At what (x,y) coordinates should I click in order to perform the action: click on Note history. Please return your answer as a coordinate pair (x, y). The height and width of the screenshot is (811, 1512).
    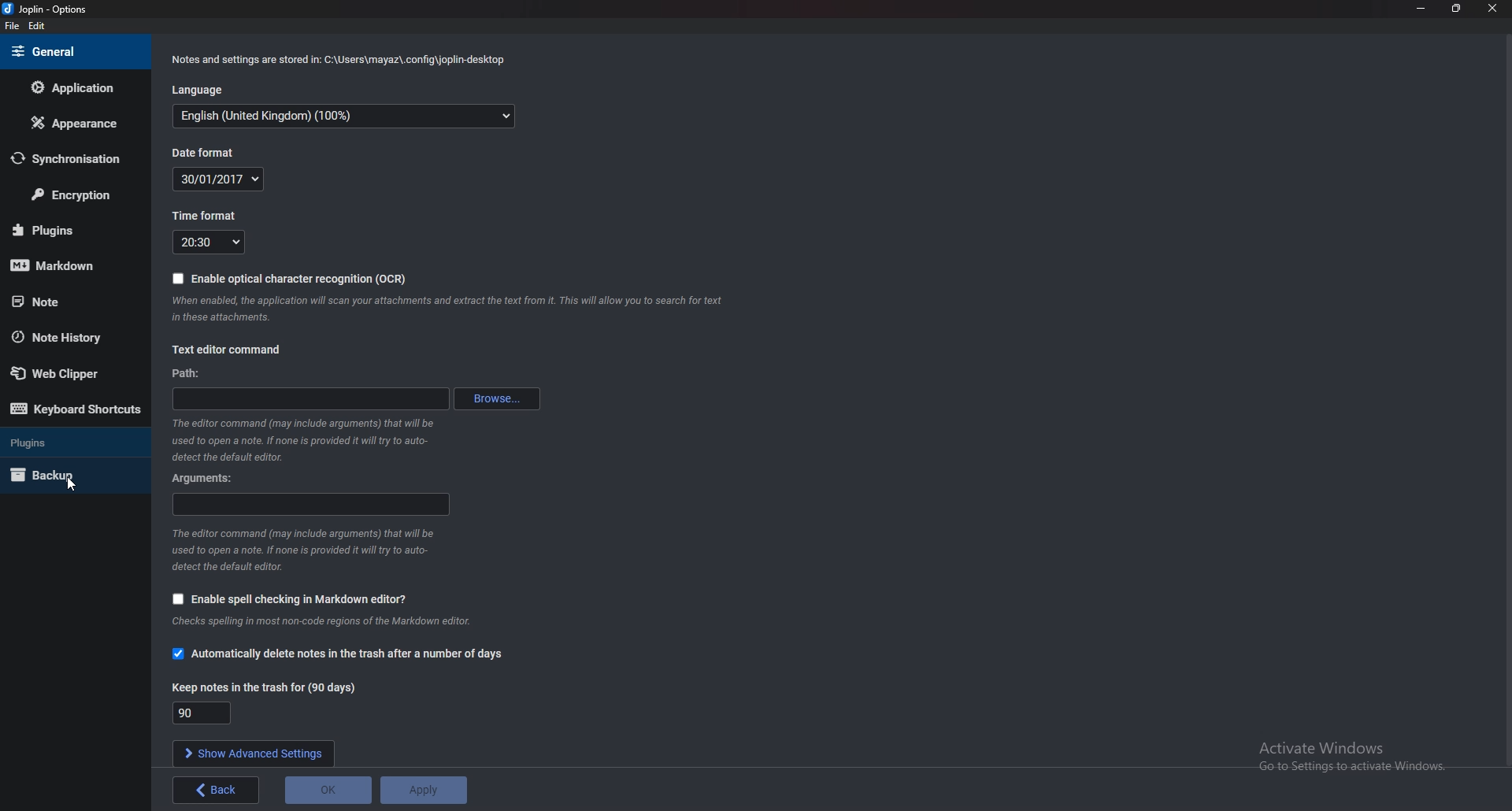
    Looking at the image, I should click on (67, 339).